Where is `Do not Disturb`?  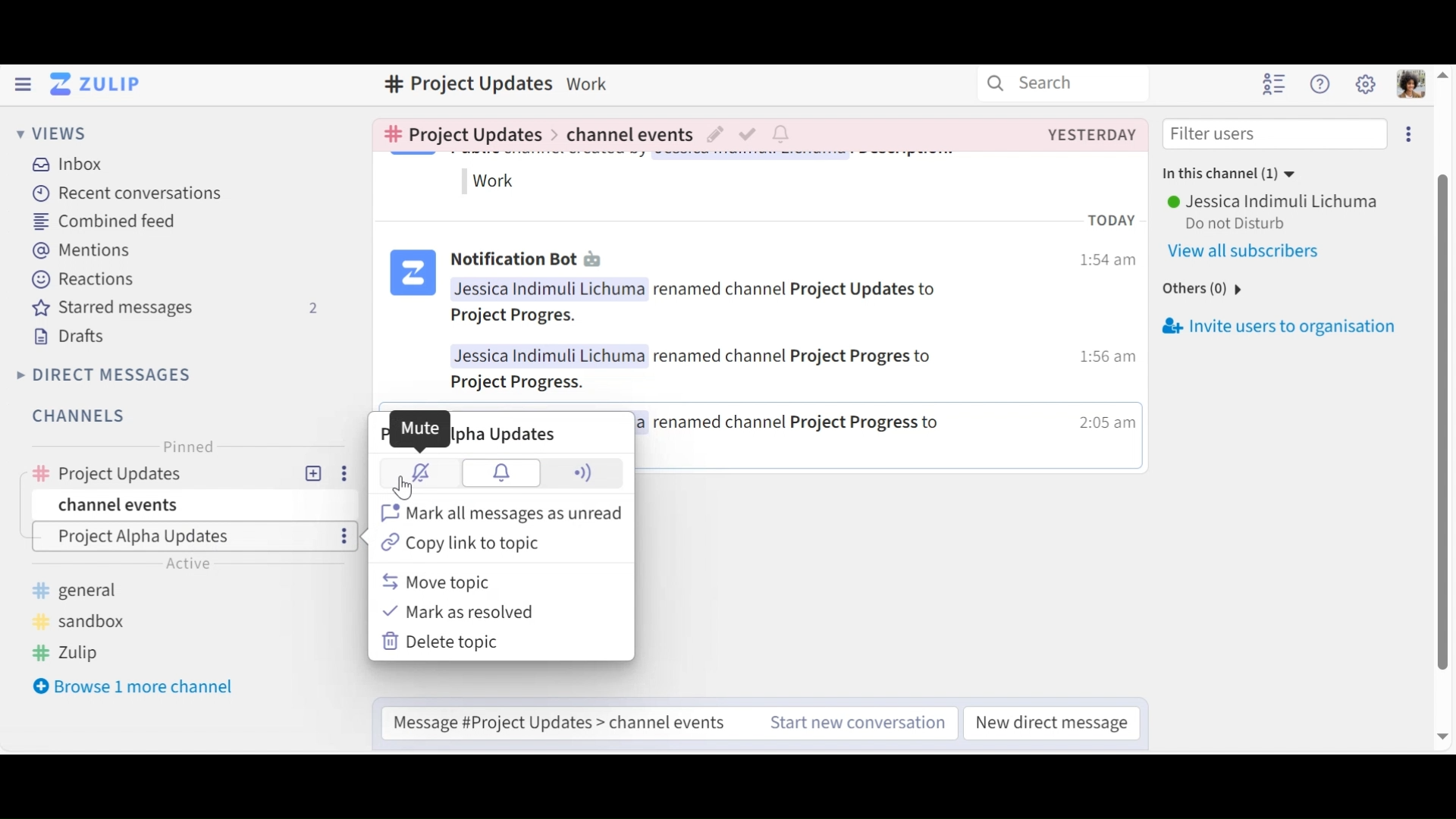 Do not Disturb is located at coordinates (1244, 223).